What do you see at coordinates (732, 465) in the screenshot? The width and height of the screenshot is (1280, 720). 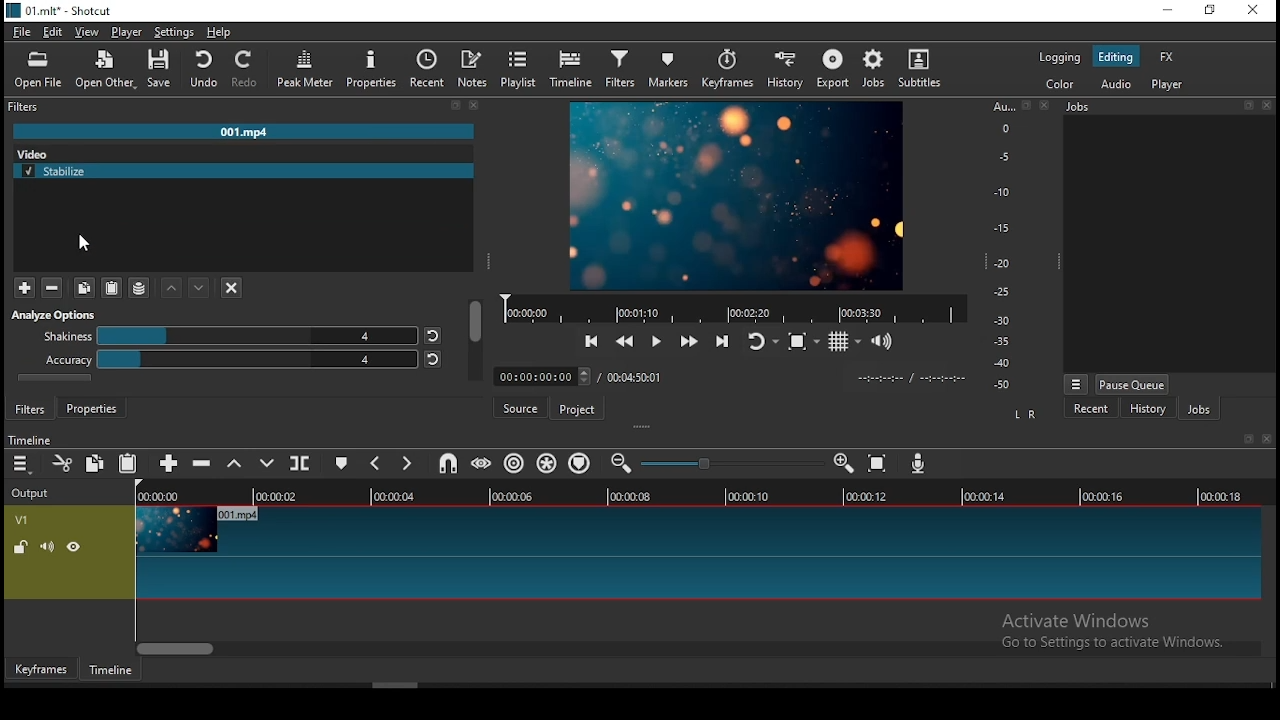 I see `slider` at bounding box center [732, 465].